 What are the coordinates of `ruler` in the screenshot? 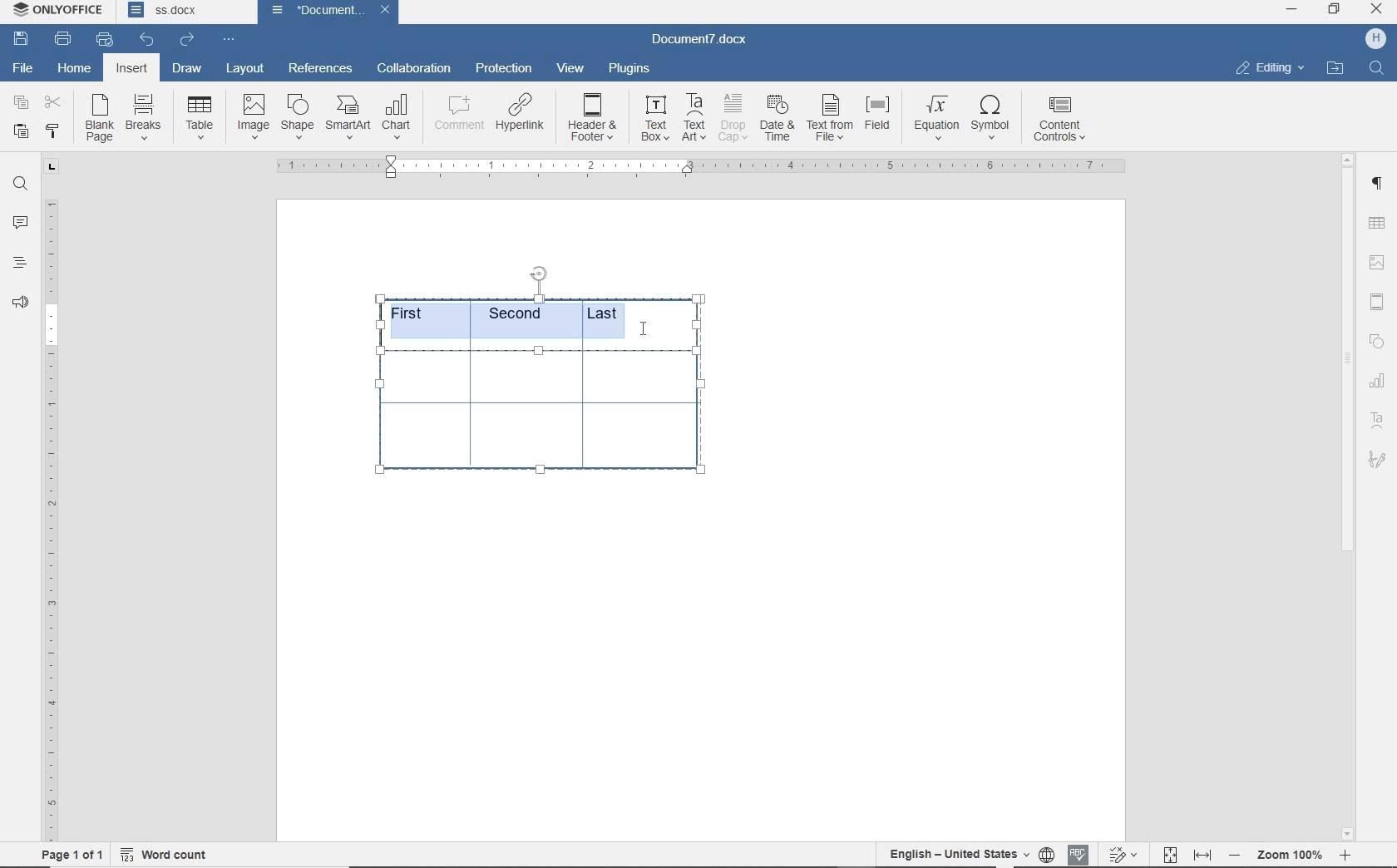 It's located at (697, 167).